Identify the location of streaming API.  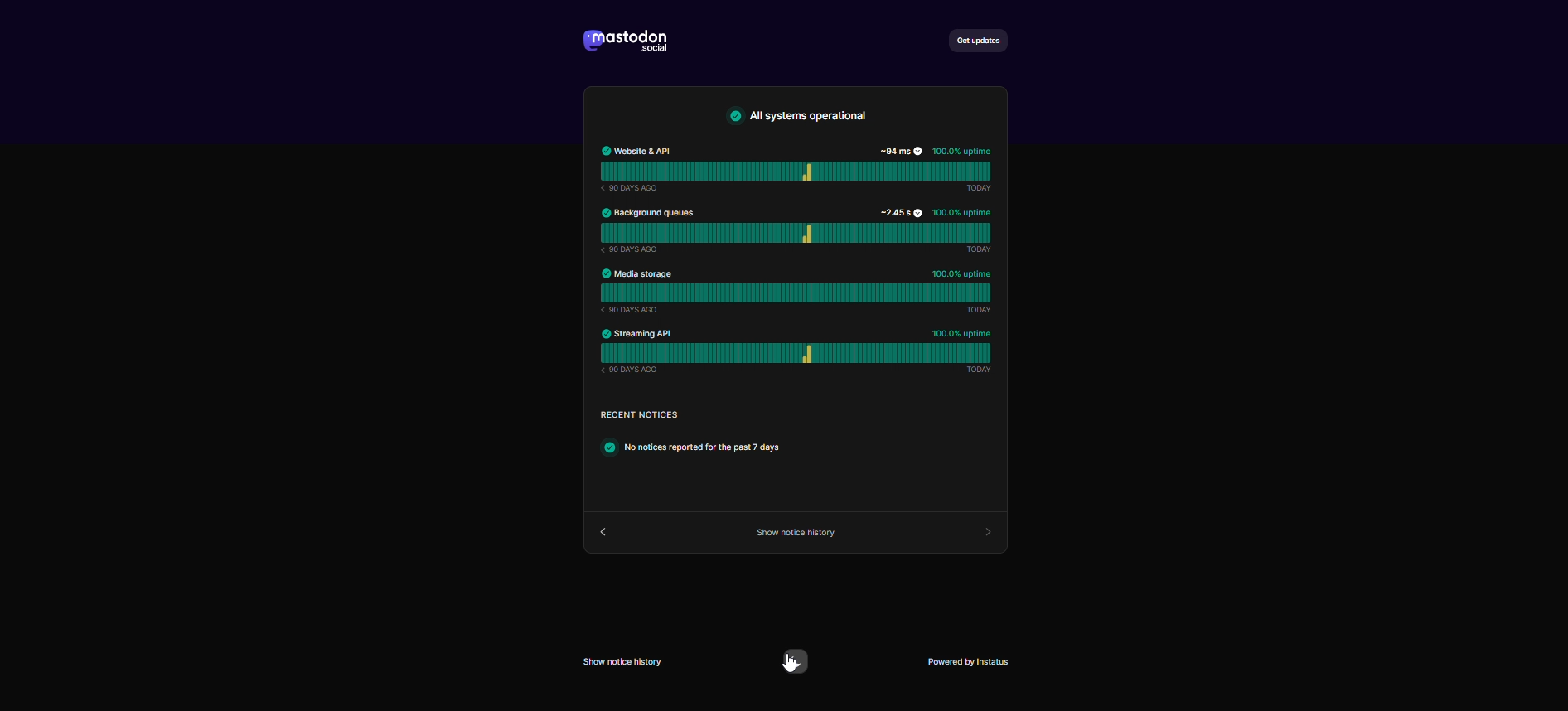
(801, 349).